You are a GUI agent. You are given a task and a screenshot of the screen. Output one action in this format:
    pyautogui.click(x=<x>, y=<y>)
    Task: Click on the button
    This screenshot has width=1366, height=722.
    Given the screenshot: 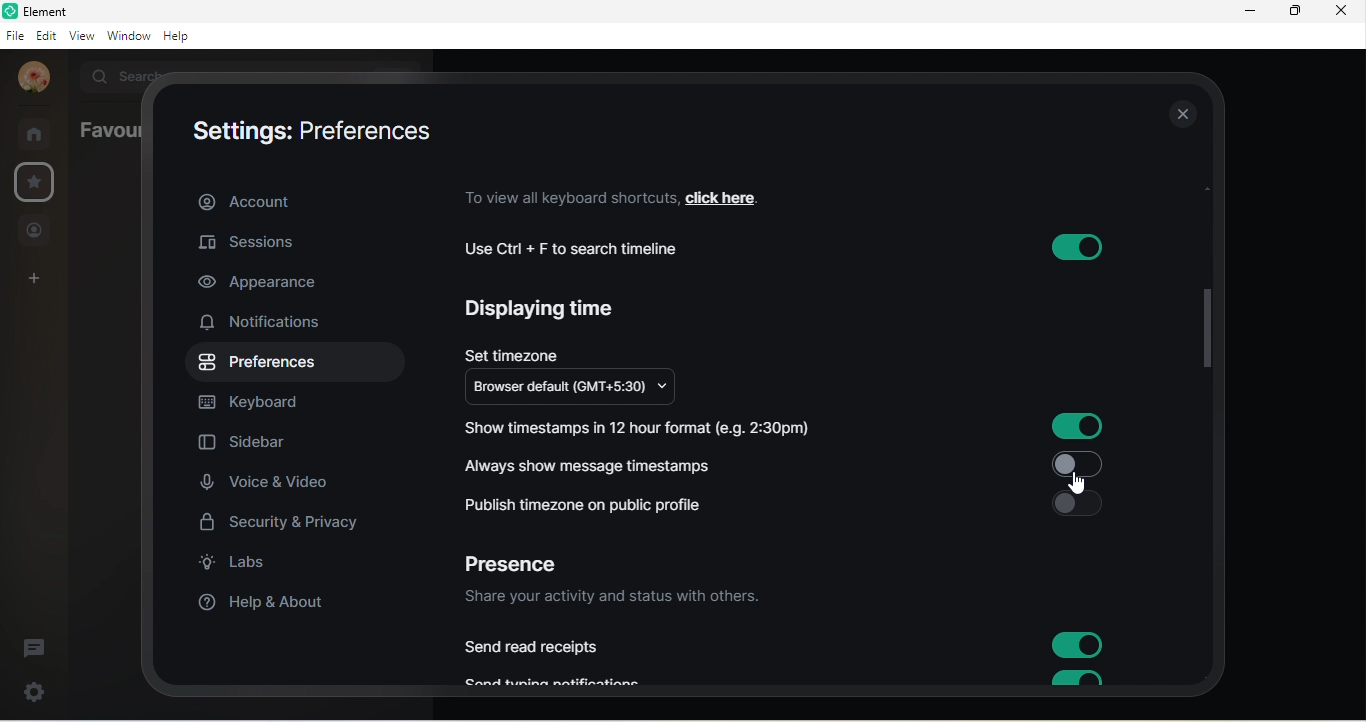 What is the action you would take?
    pyautogui.click(x=1076, y=465)
    